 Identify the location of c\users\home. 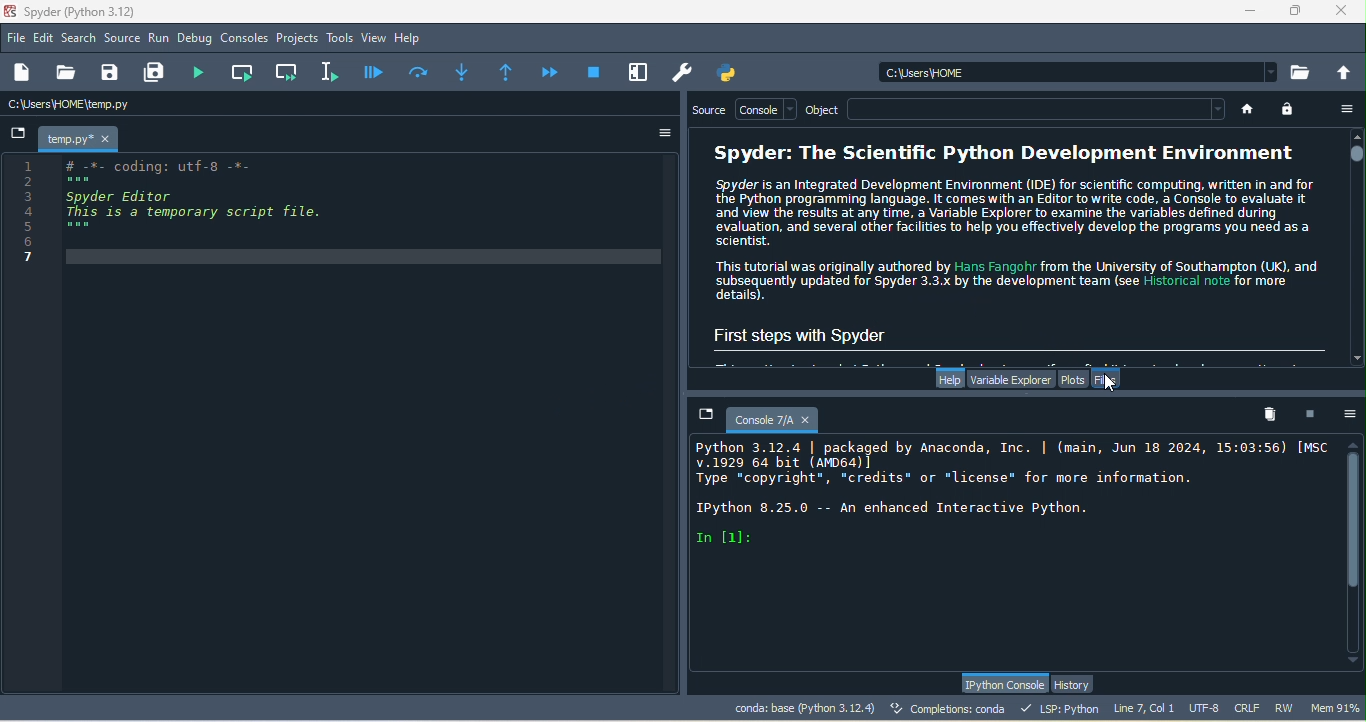
(1078, 71).